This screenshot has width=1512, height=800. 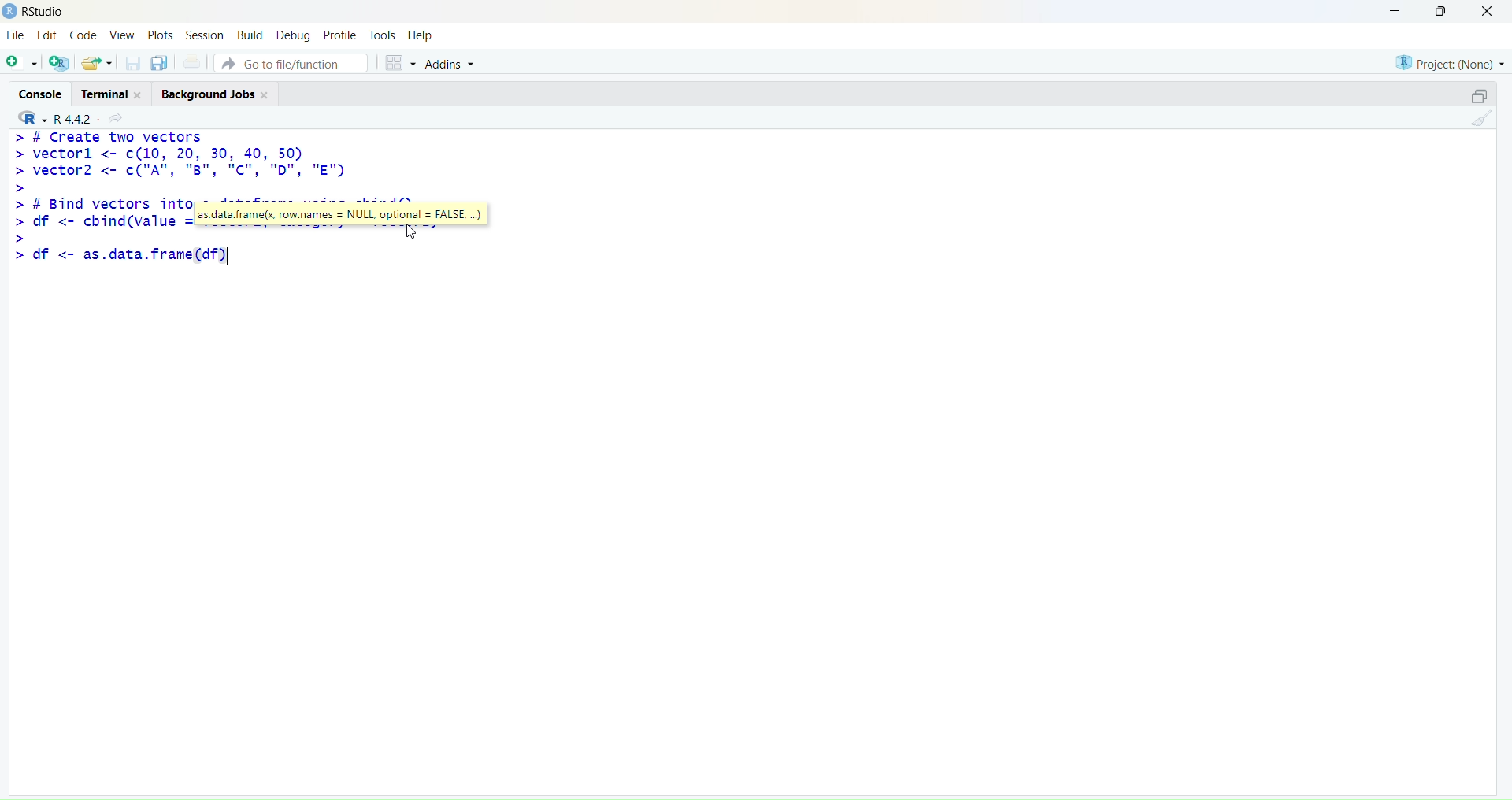 What do you see at coordinates (193, 62) in the screenshot?
I see `print the current file` at bounding box center [193, 62].